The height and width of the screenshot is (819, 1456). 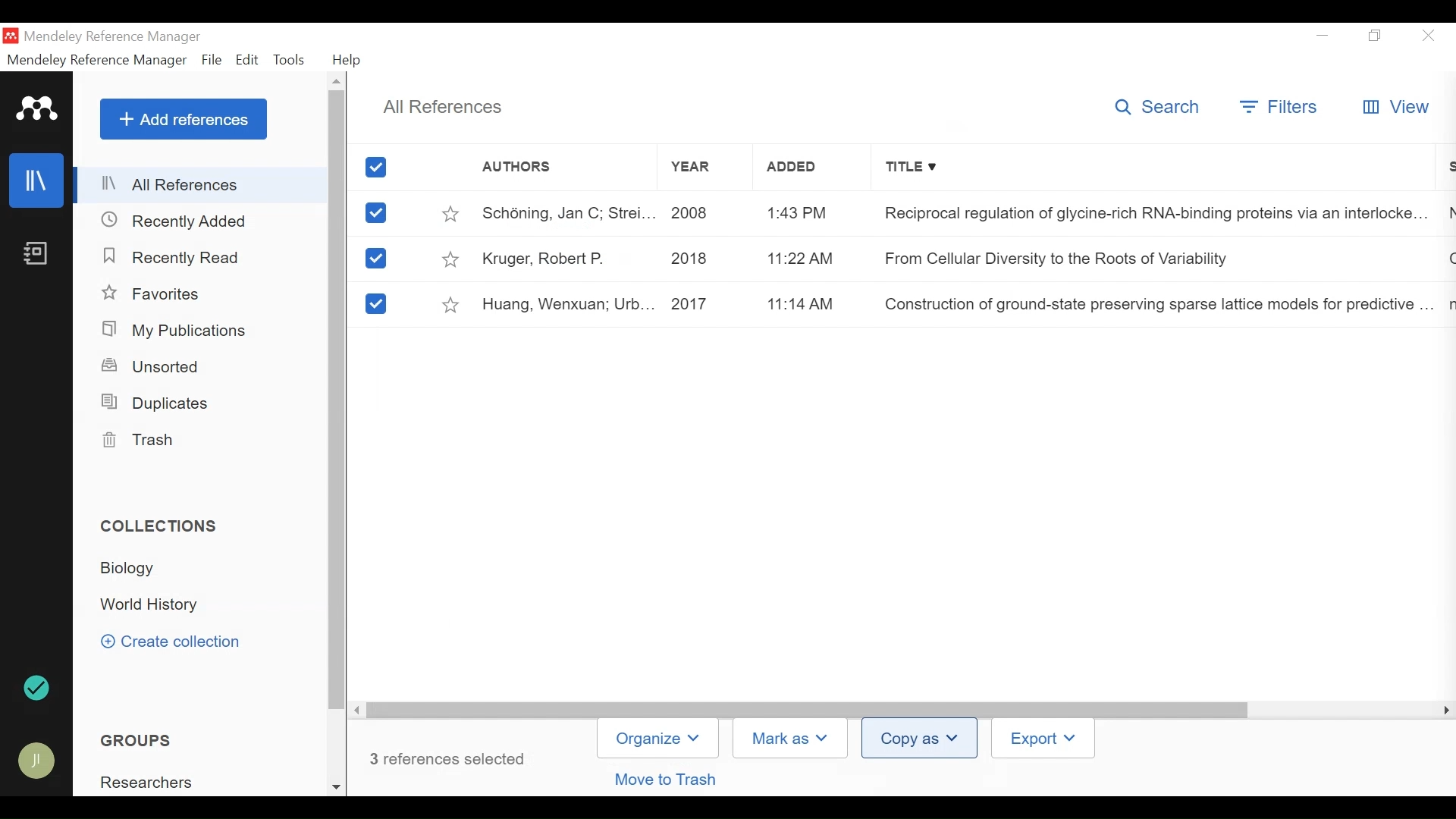 What do you see at coordinates (290, 60) in the screenshot?
I see `Tools` at bounding box center [290, 60].